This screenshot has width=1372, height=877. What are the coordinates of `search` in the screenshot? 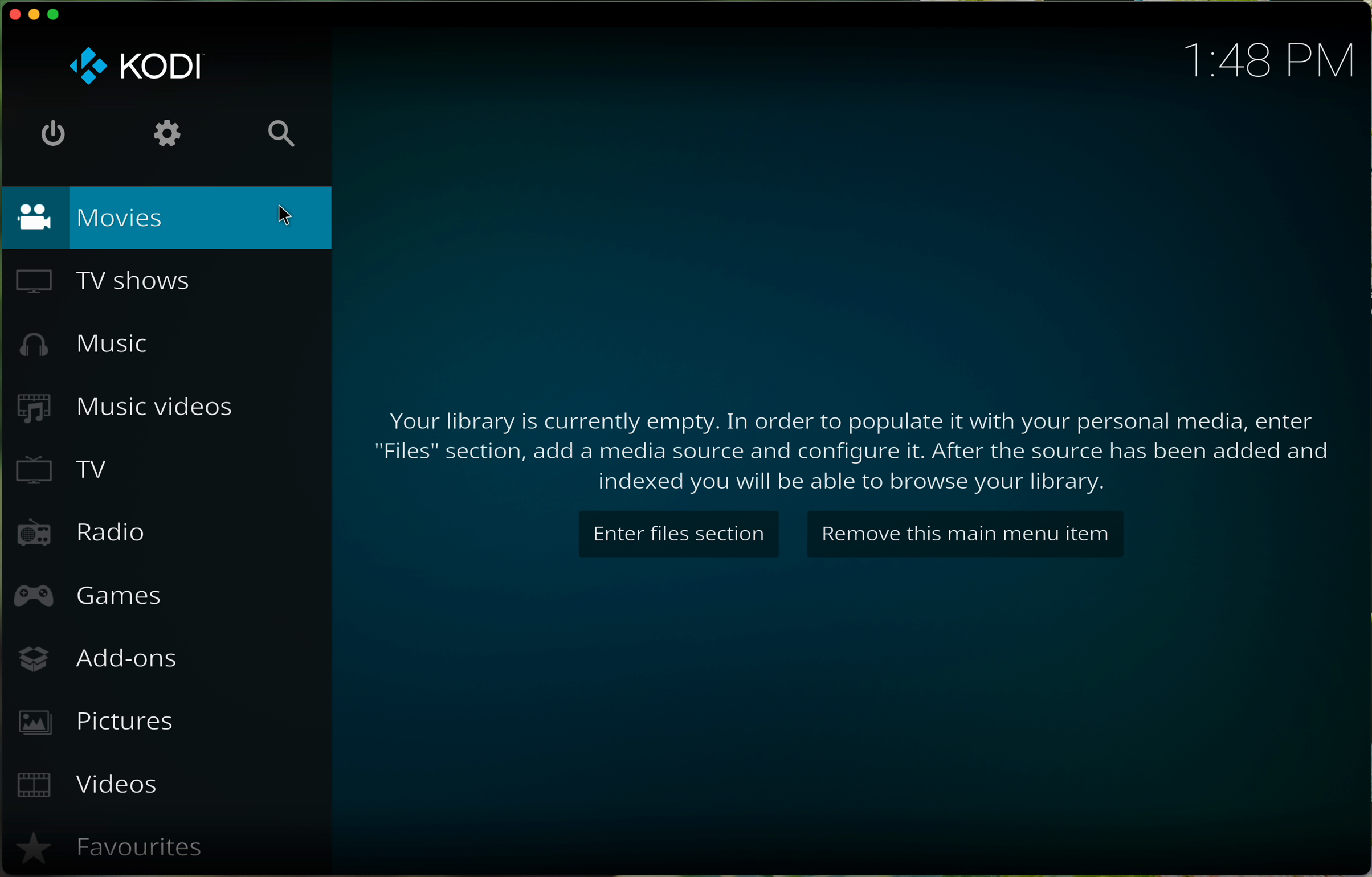 It's located at (288, 135).